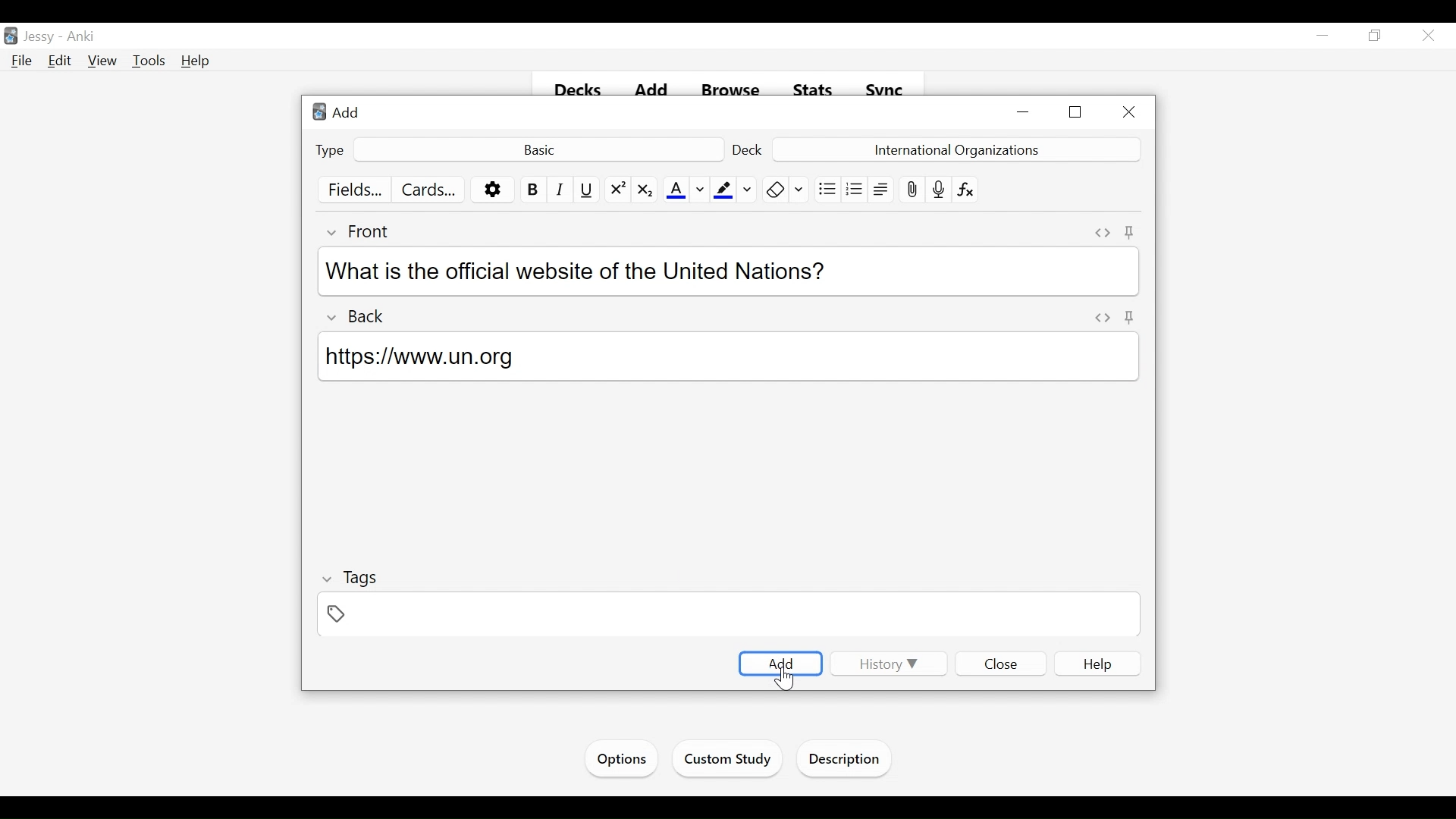  Describe the element at coordinates (886, 666) in the screenshot. I see `History` at that location.